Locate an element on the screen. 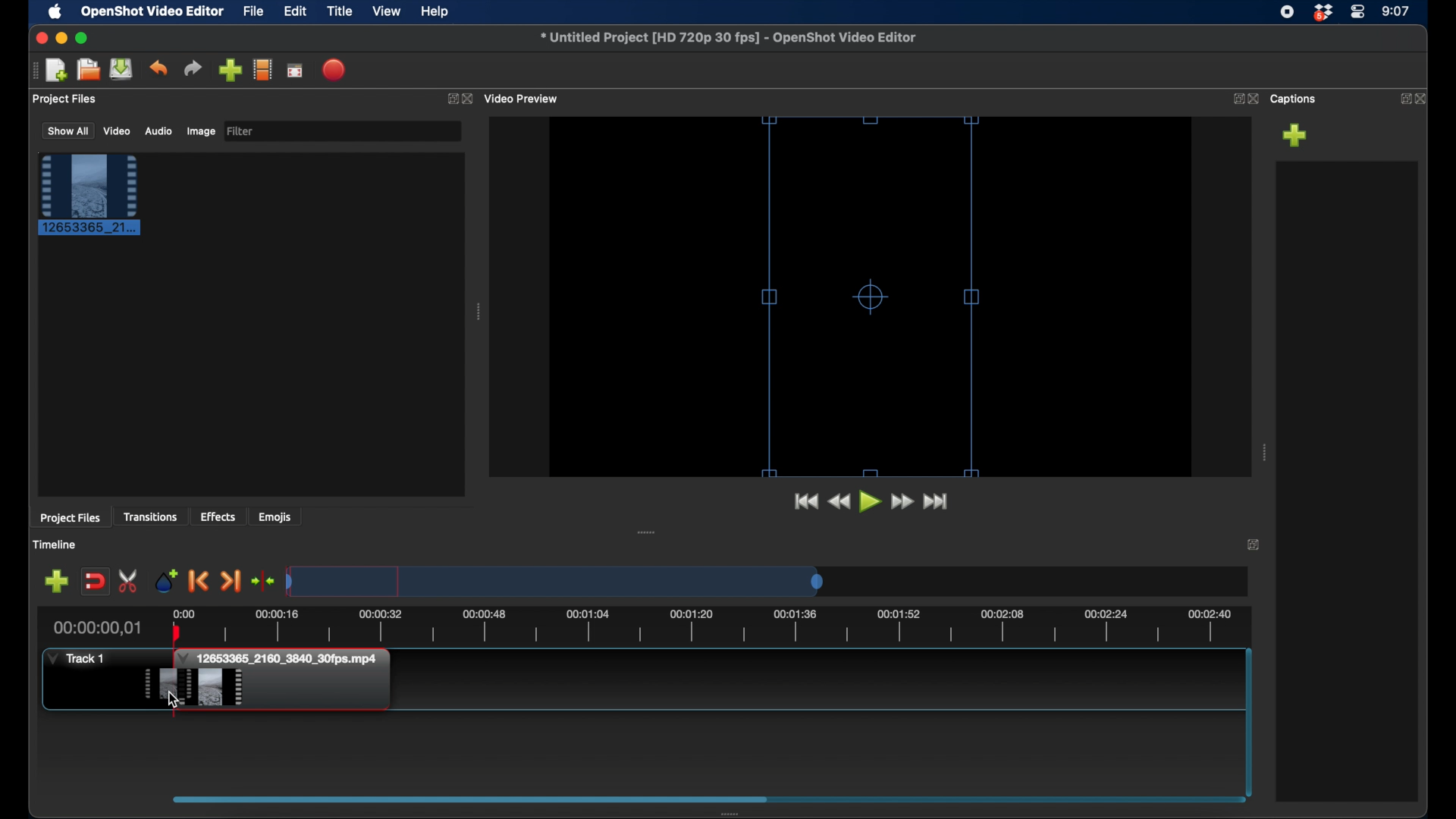 The height and width of the screenshot is (819, 1456). expand is located at coordinates (1254, 546).